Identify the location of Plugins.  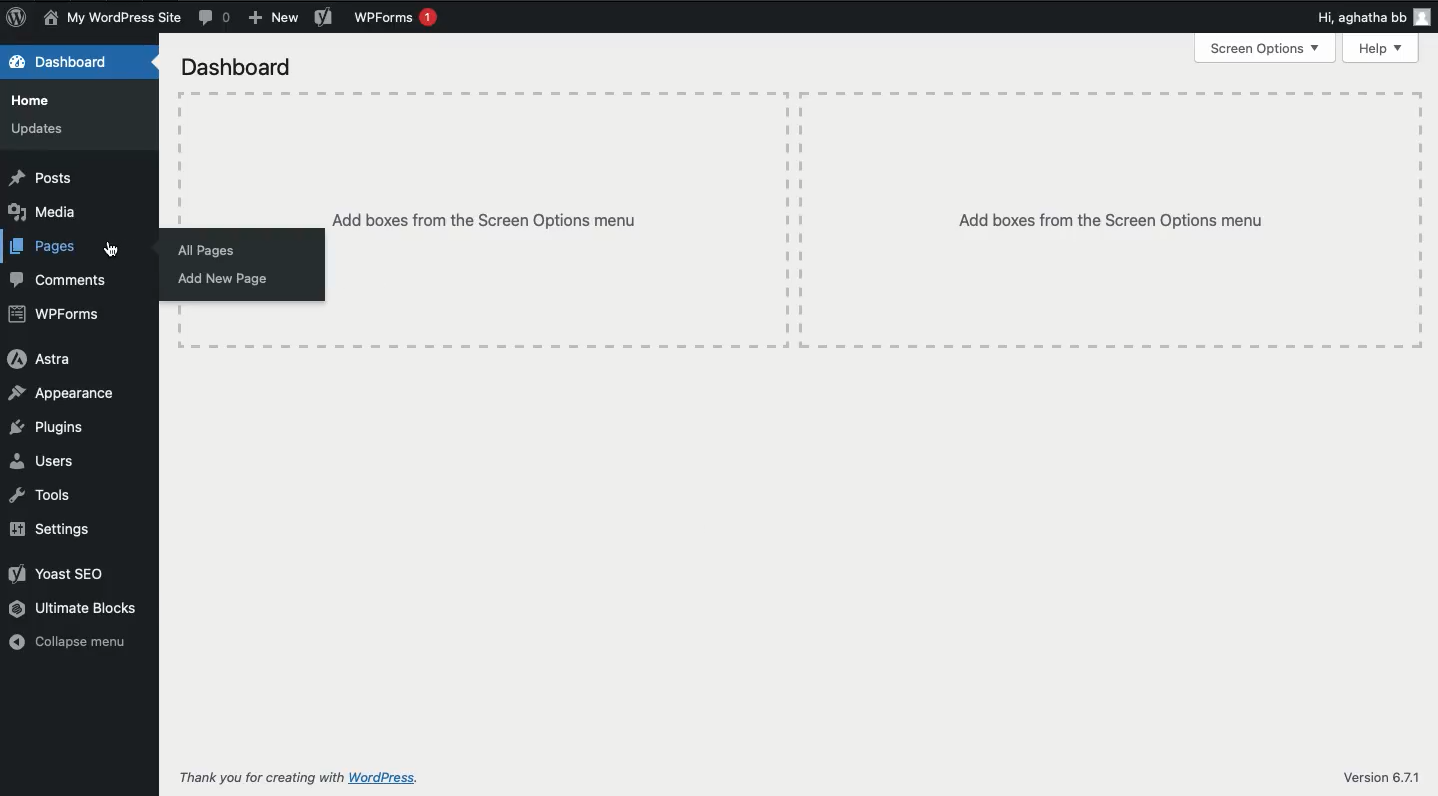
(49, 429).